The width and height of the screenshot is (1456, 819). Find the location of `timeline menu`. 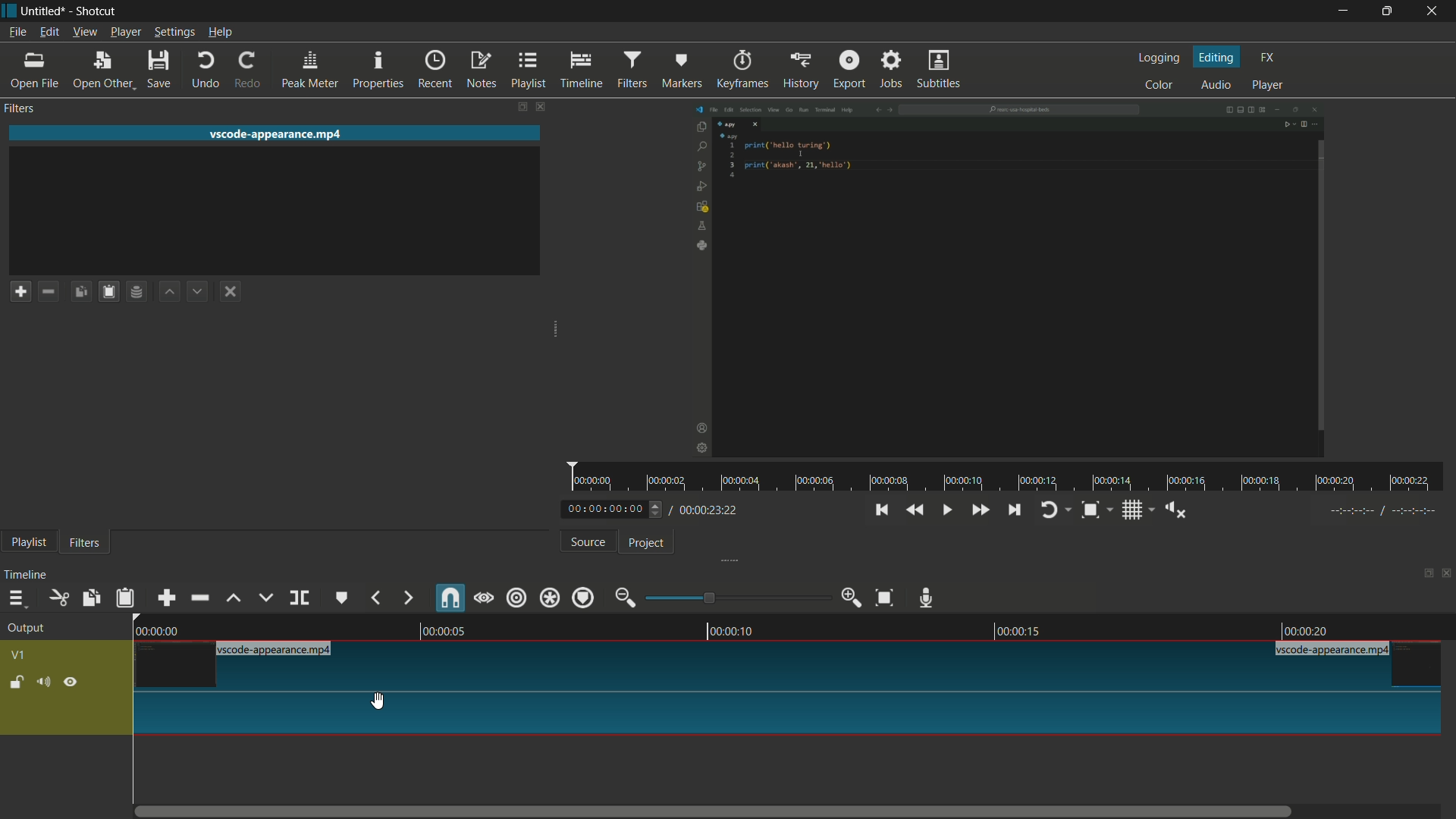

timeline menu is located at coordinates (19, 598).